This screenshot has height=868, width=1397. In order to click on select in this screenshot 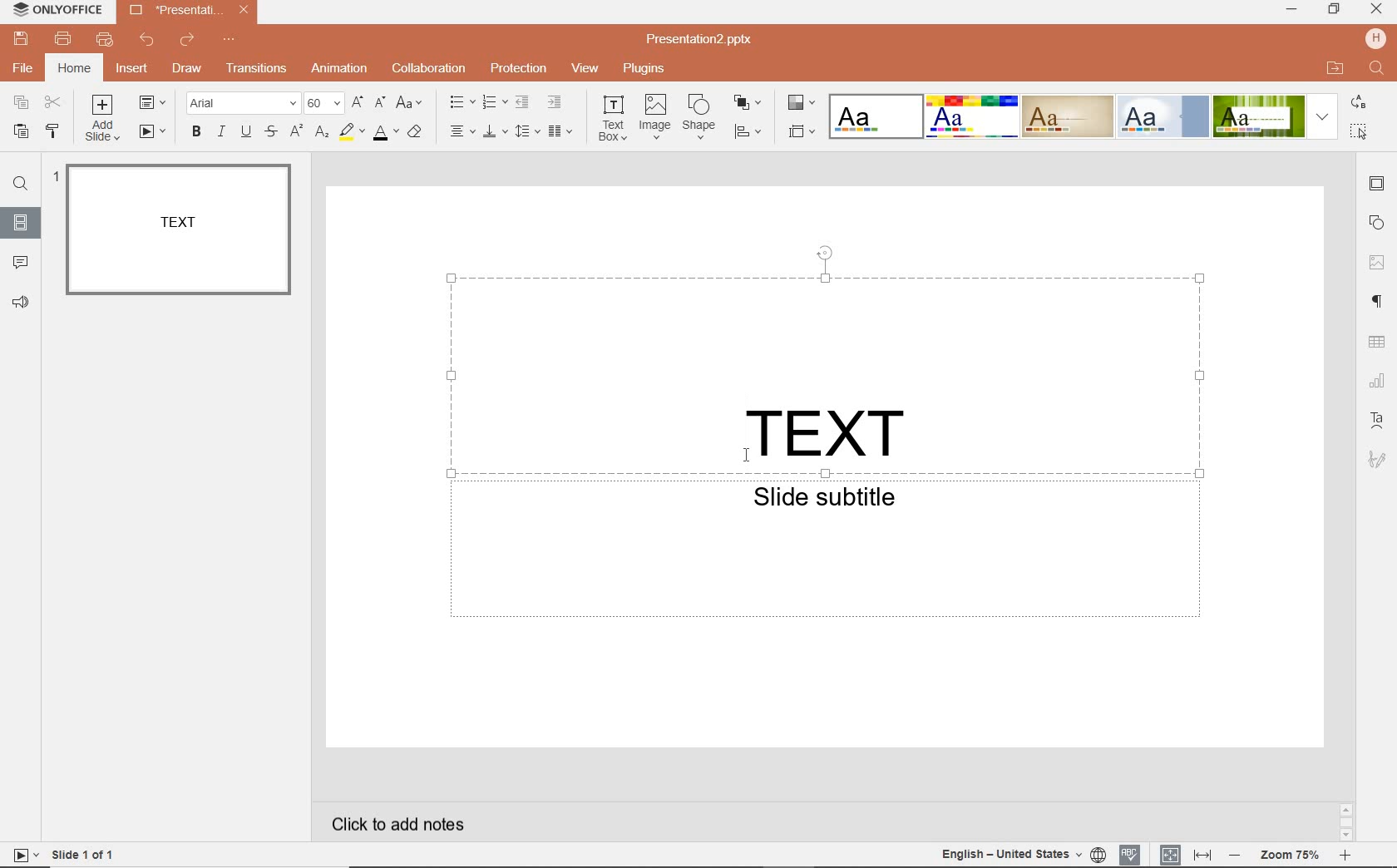, I will do `click(1360, 130)`.